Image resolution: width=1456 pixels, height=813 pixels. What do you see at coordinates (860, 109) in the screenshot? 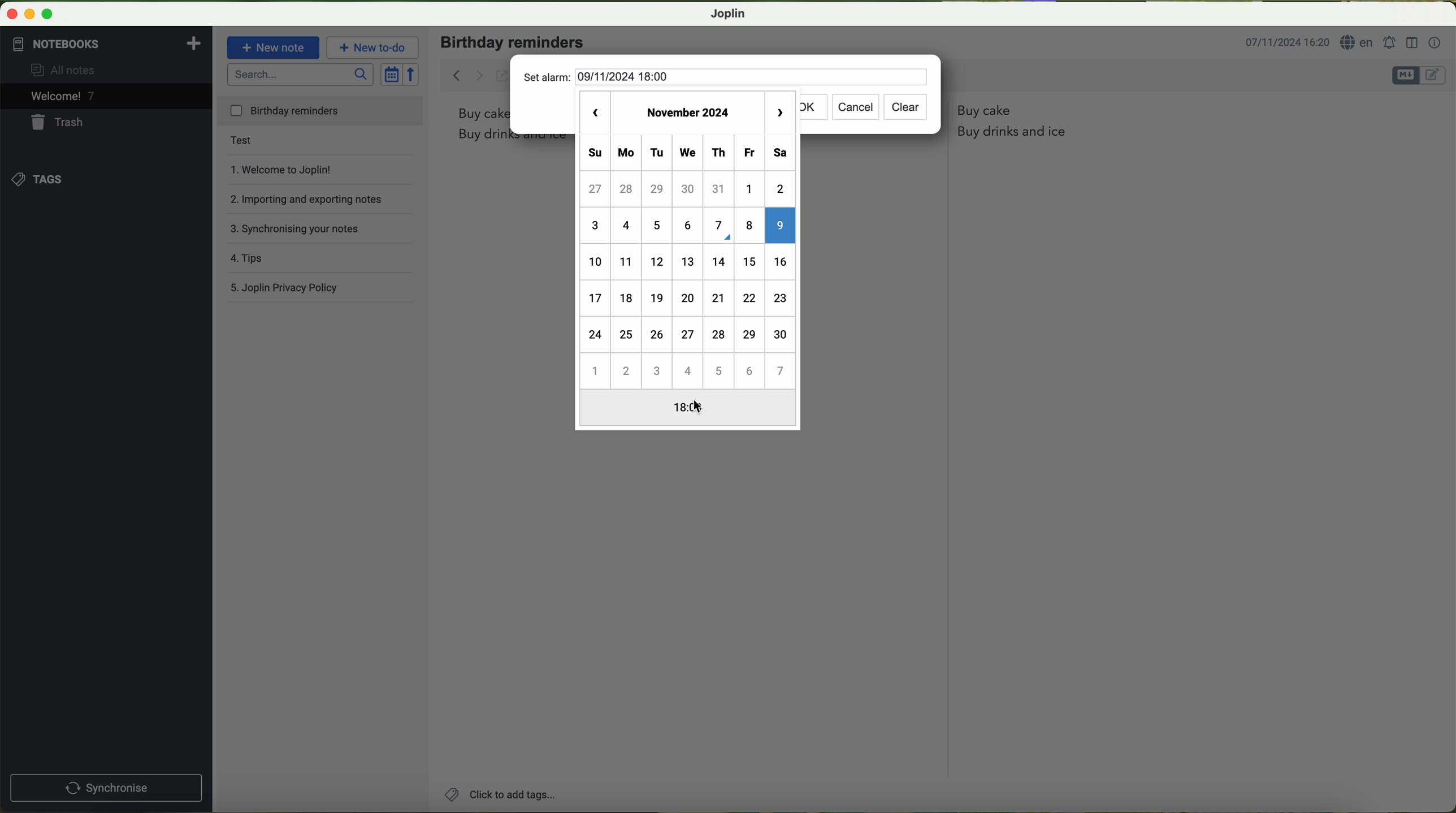
I see `cancel` at bounding box center [860, 109].